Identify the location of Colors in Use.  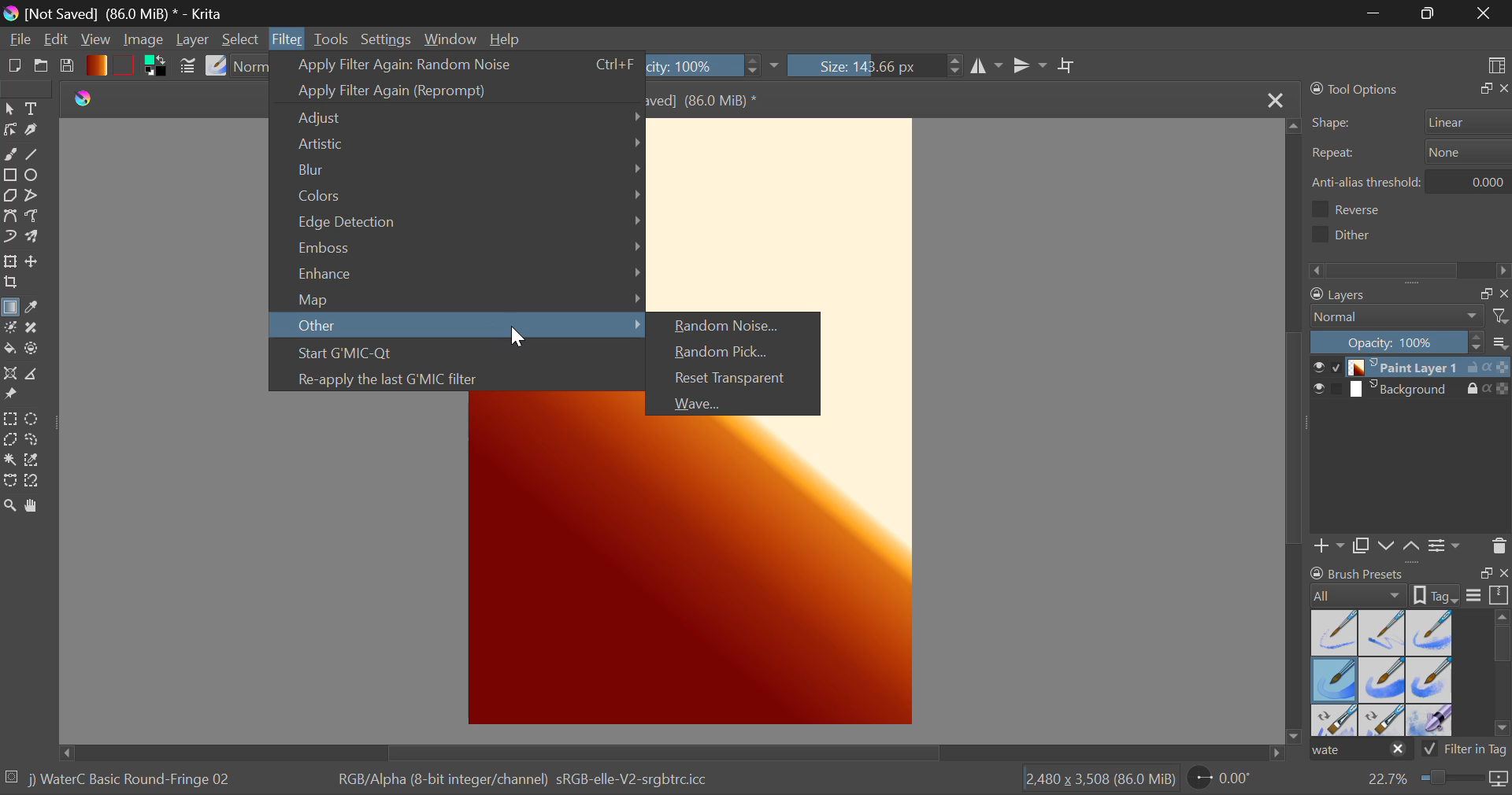
(159, 67).